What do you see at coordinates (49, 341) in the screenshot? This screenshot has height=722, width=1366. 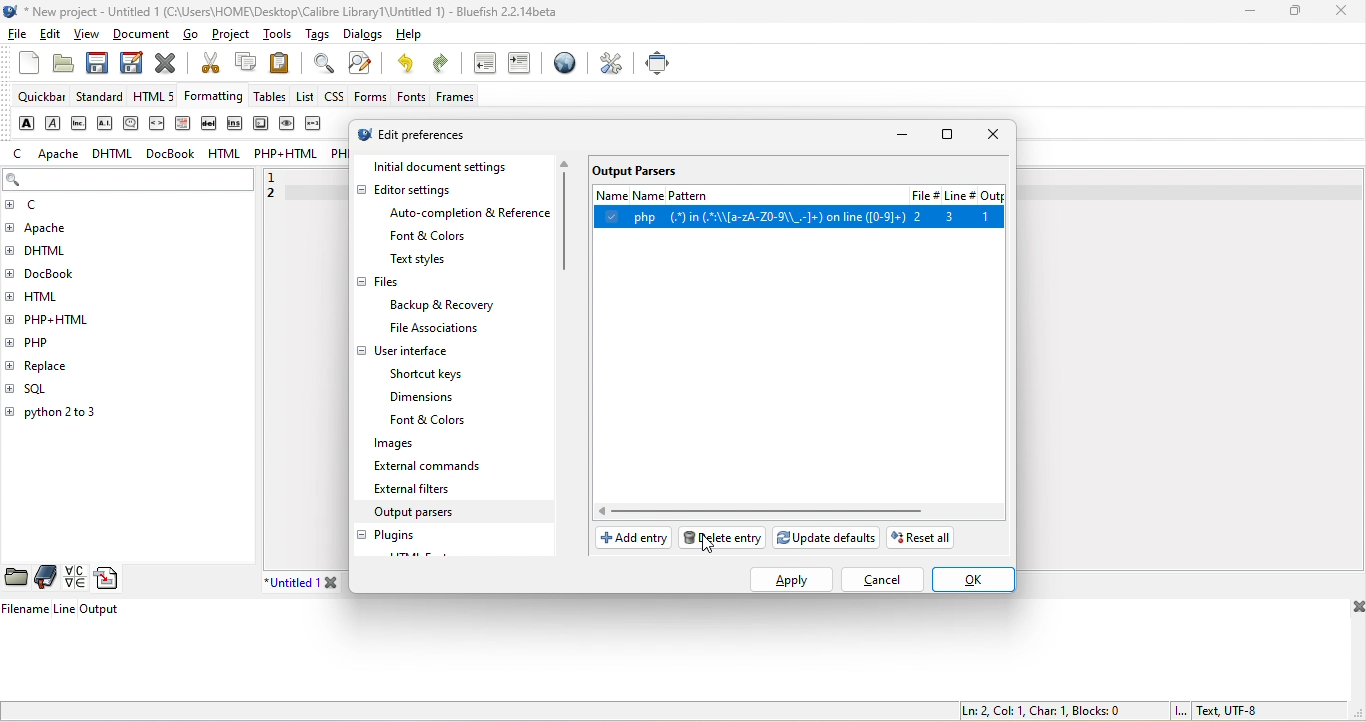 I see `php` at bounding box center [49, 341].